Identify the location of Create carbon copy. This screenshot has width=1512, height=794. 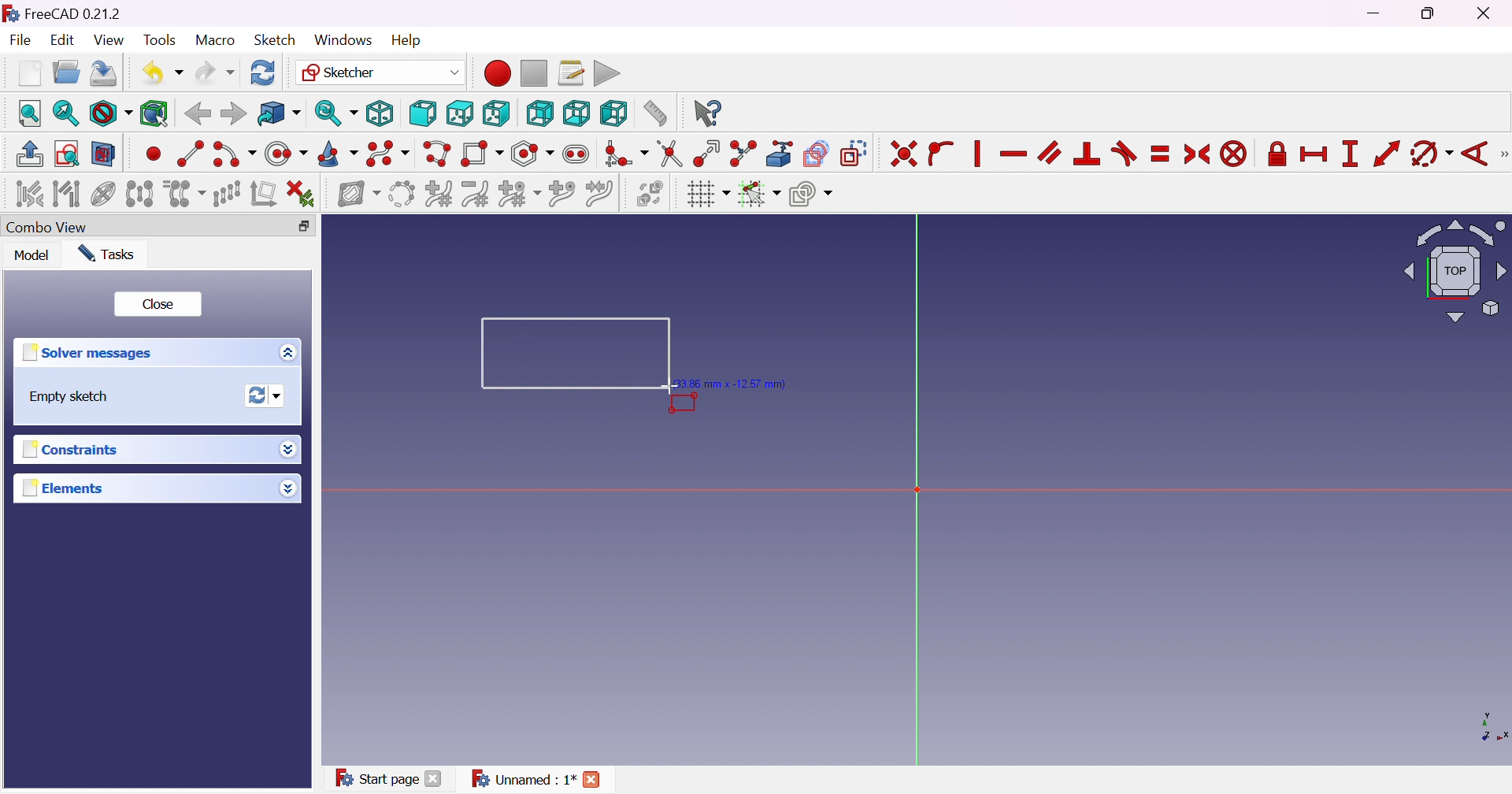
(817, 154).